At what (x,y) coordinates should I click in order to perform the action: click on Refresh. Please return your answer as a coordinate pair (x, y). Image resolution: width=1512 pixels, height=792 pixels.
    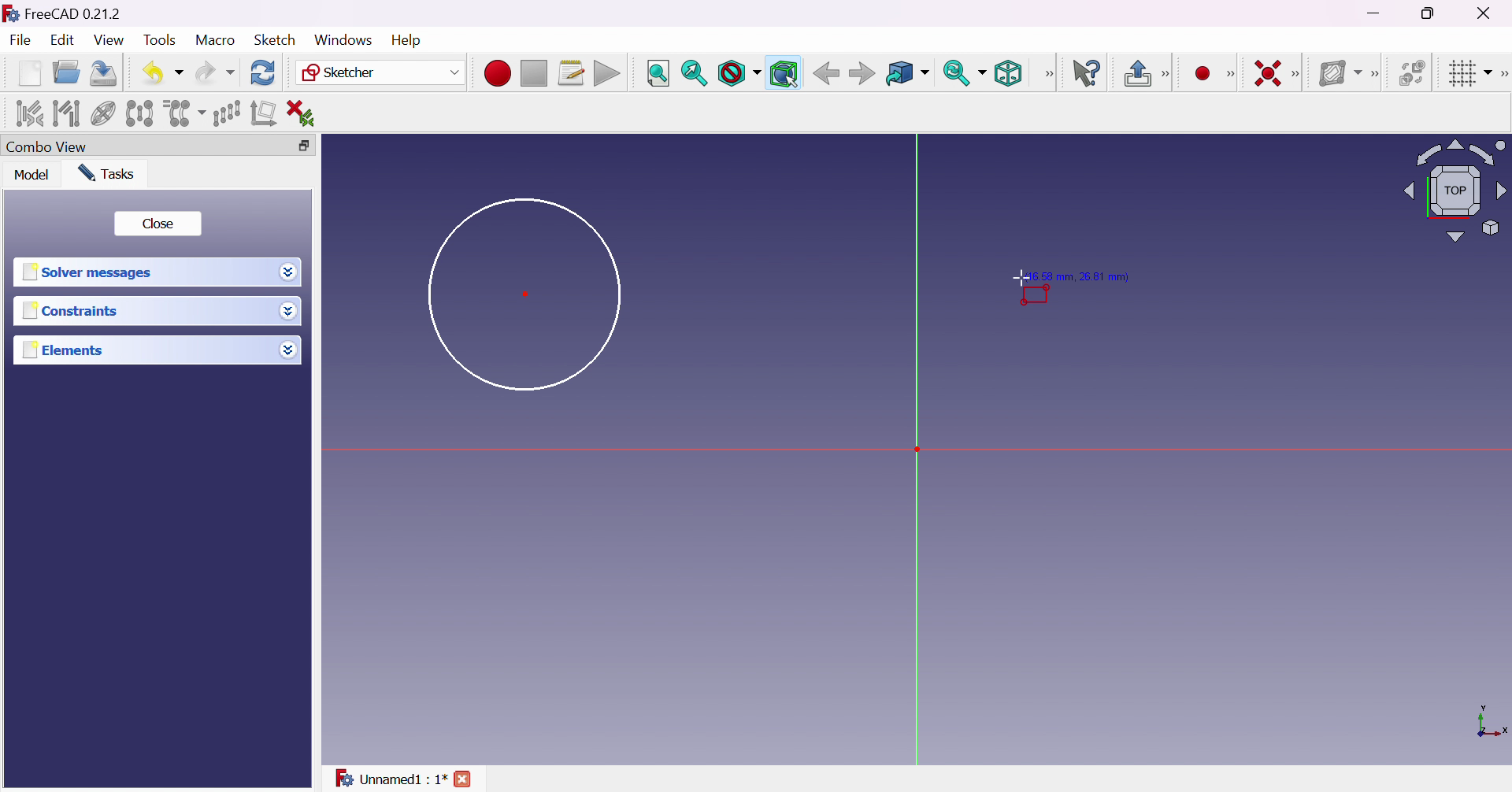
    Looking at the image, I should click on (263, 72).